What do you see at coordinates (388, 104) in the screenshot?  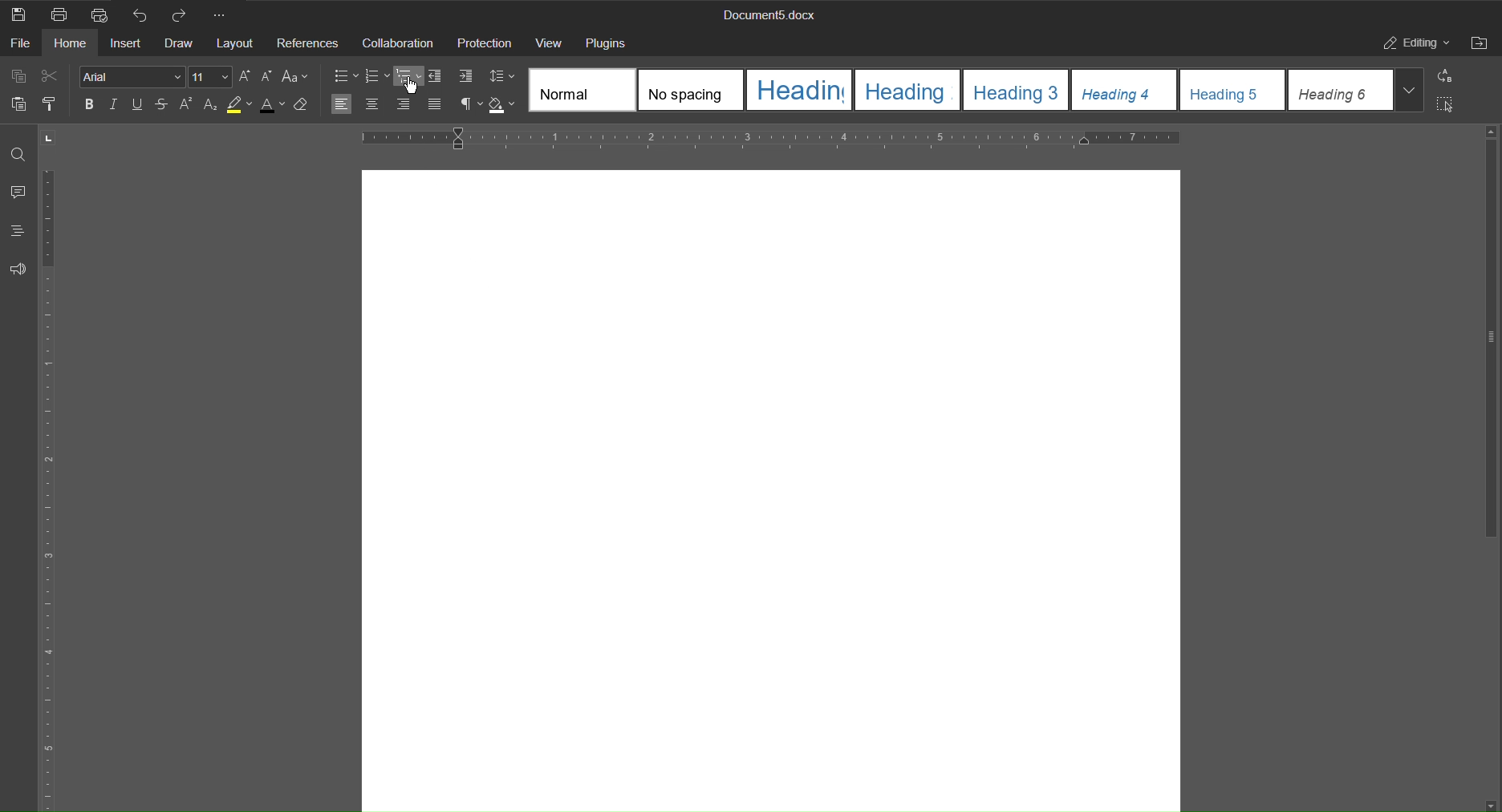 I see `Alignment` at bounding box center [388, 104].